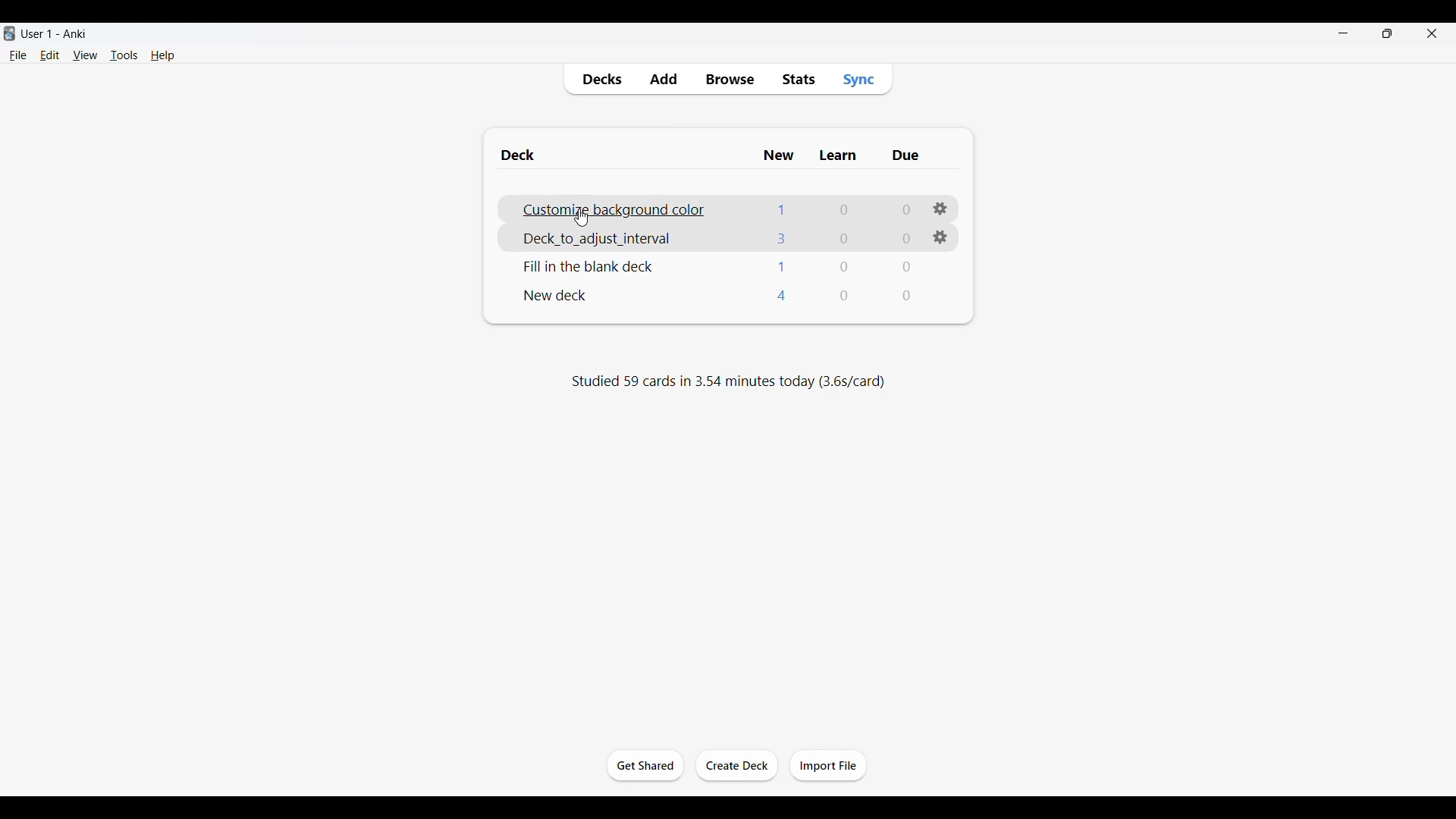 Image resolution: width=1456 pixels, height=819 pixels. I want to click on Tools menu, so click(124, 55).